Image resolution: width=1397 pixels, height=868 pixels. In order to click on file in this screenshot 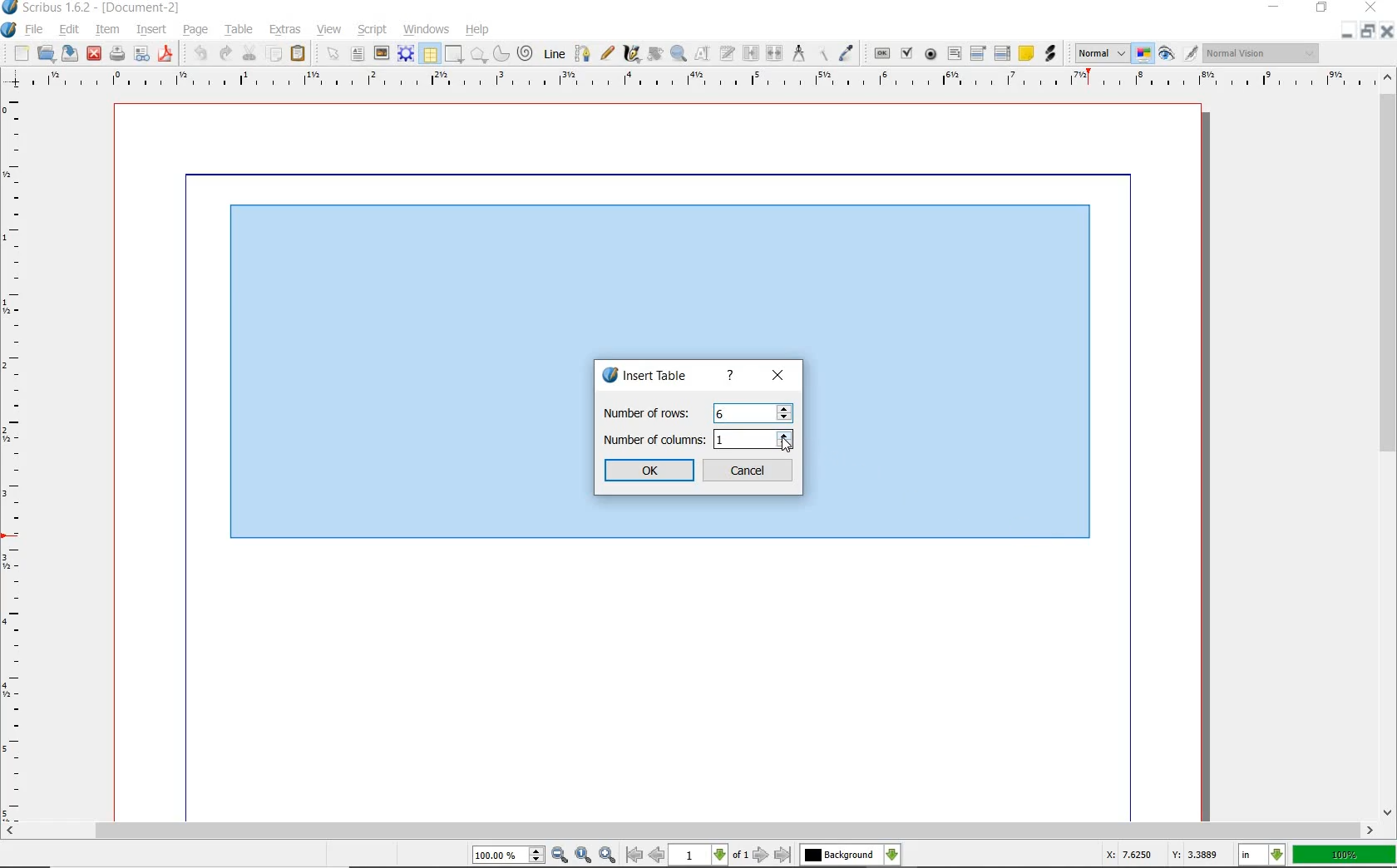, I will do `click(36, 31)`.